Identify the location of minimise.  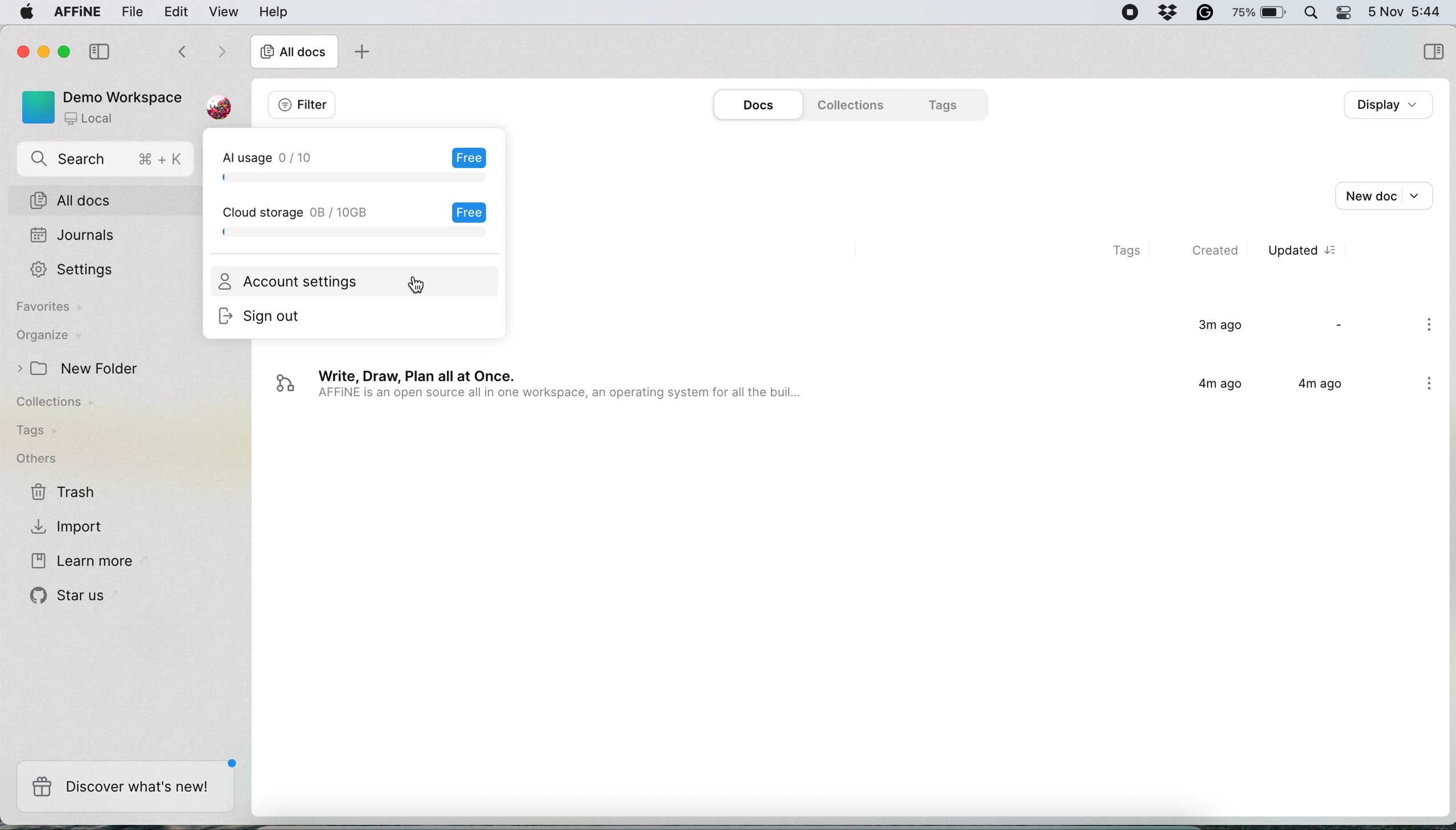
(46, 54).